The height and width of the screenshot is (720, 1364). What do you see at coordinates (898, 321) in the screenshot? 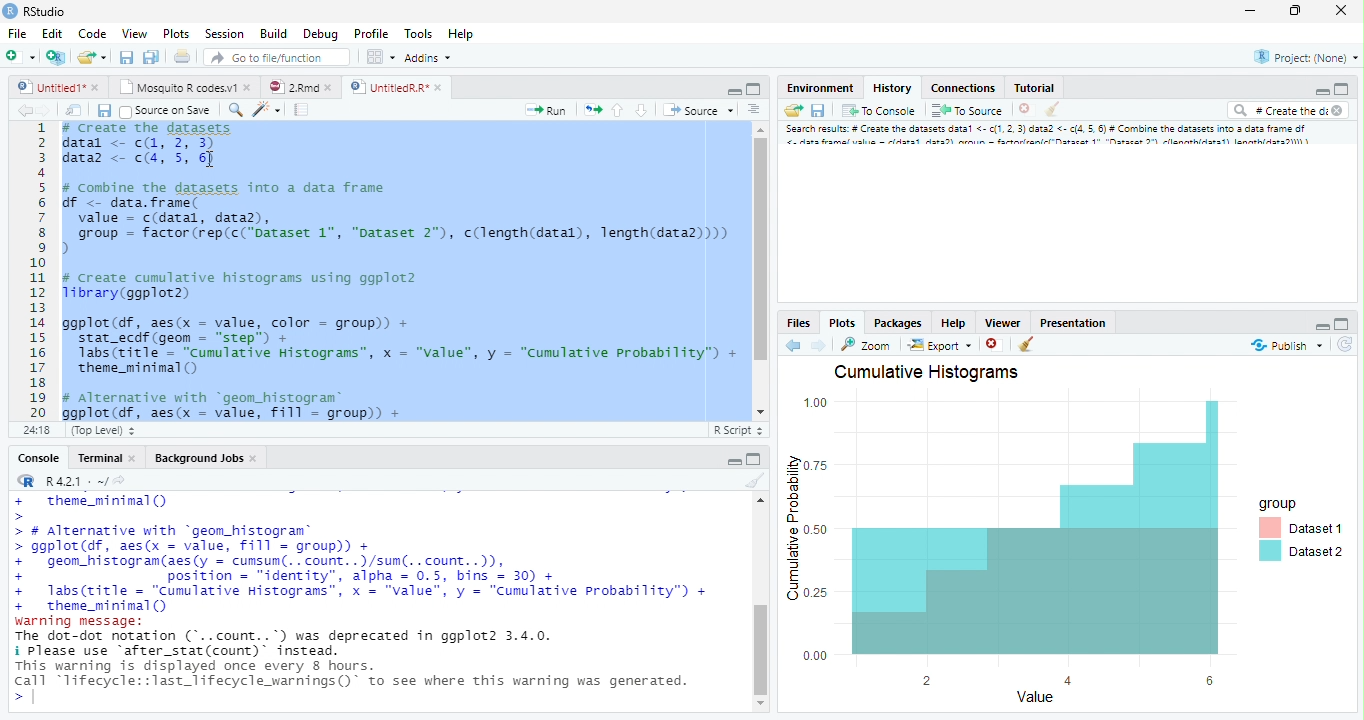
I see `Packages` at bounding box center [898, 321].